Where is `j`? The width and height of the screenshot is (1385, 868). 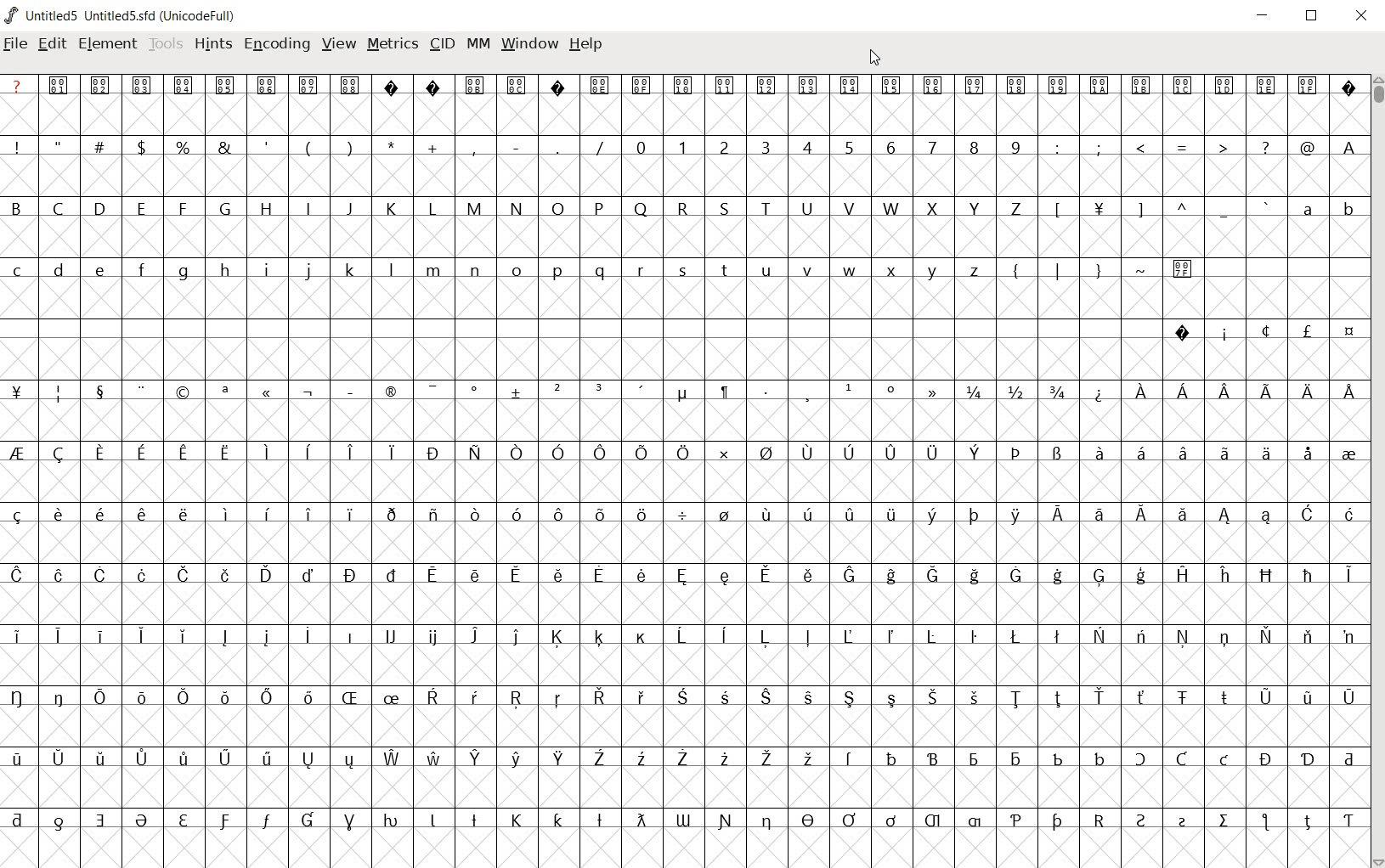
j is located at coordinates (308, 272).